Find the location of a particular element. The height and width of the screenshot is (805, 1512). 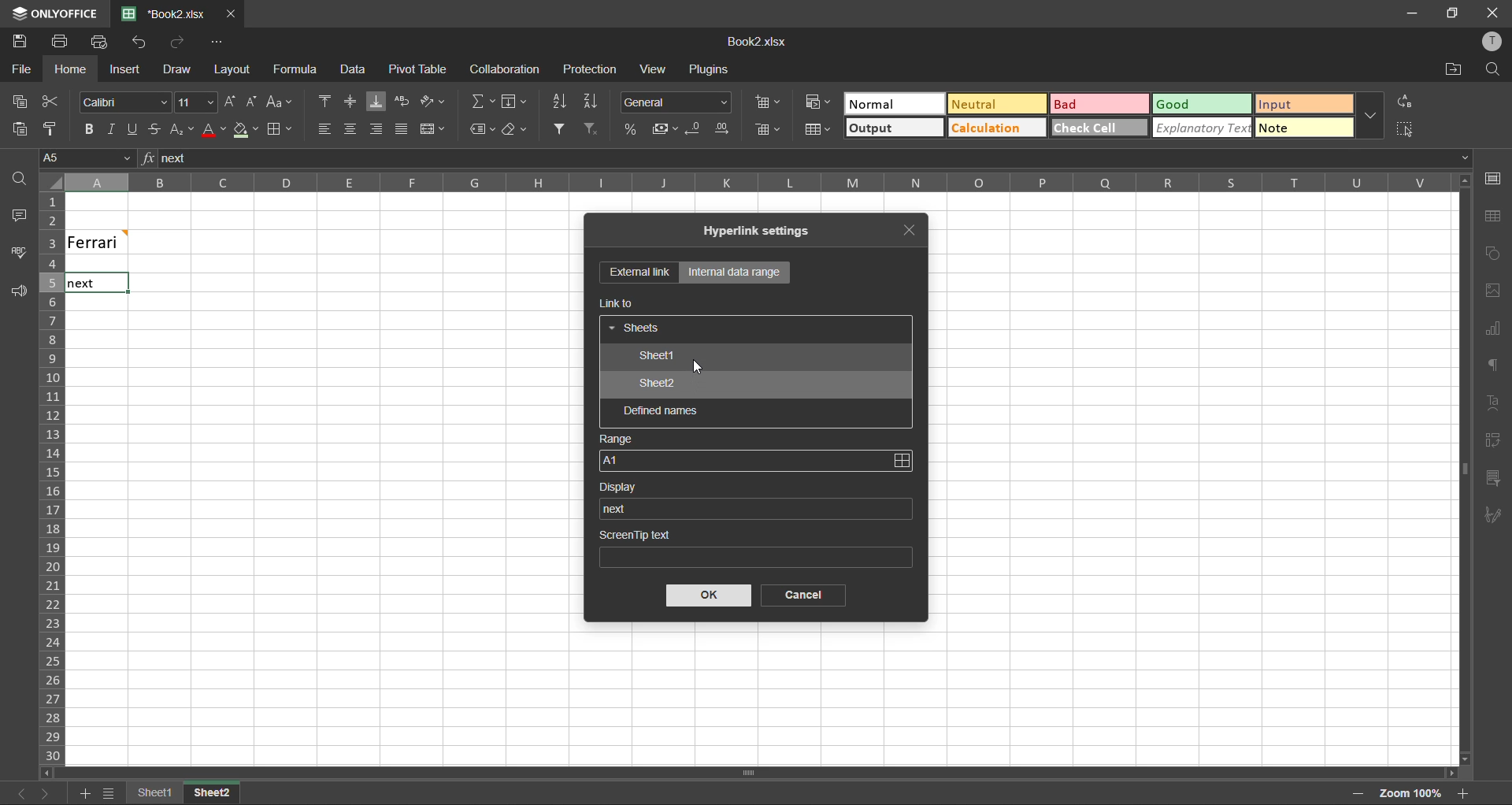

zoom in is located at coordinates (1462, 792).